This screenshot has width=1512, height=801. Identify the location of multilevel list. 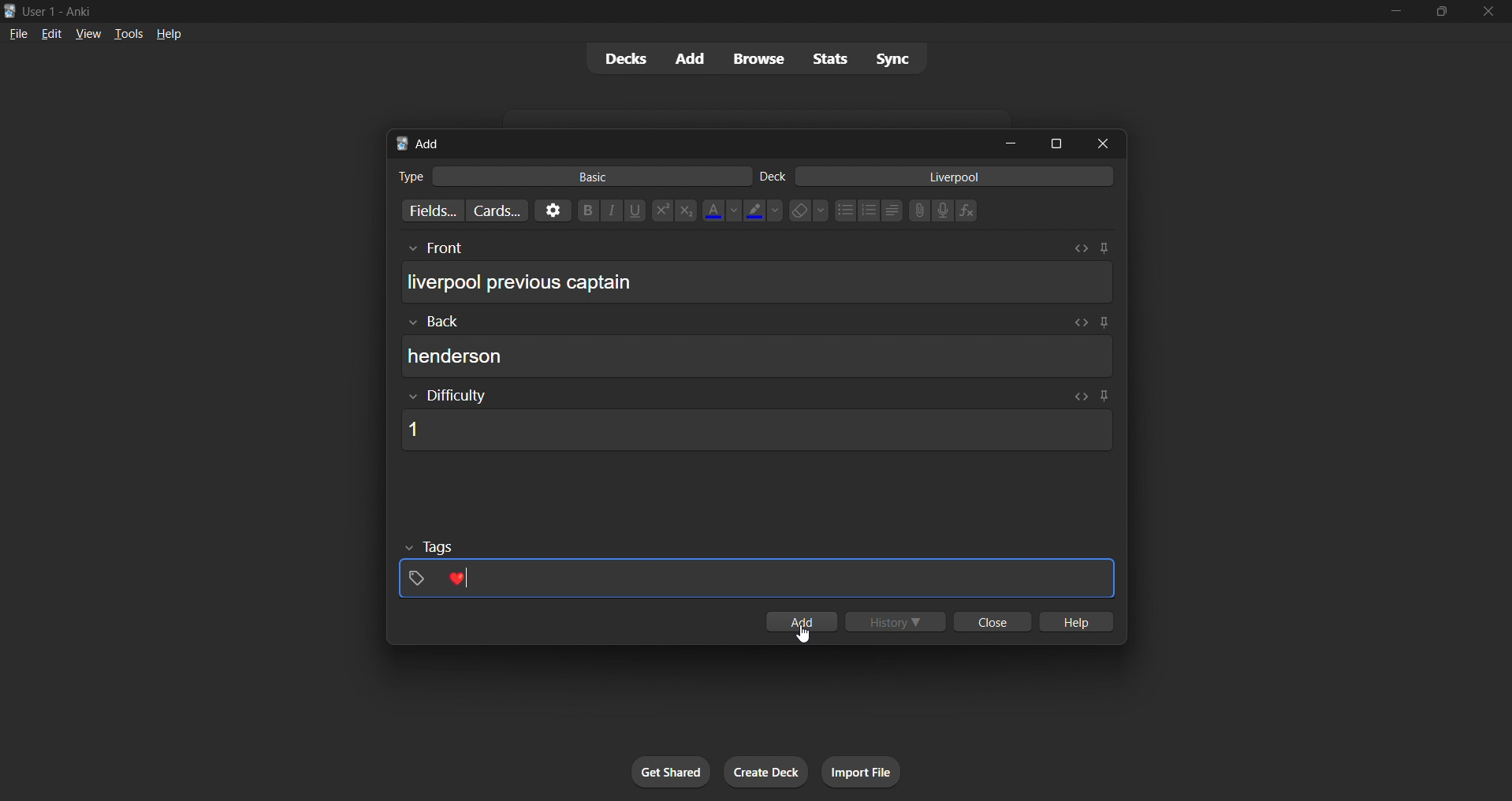
(893, 212).